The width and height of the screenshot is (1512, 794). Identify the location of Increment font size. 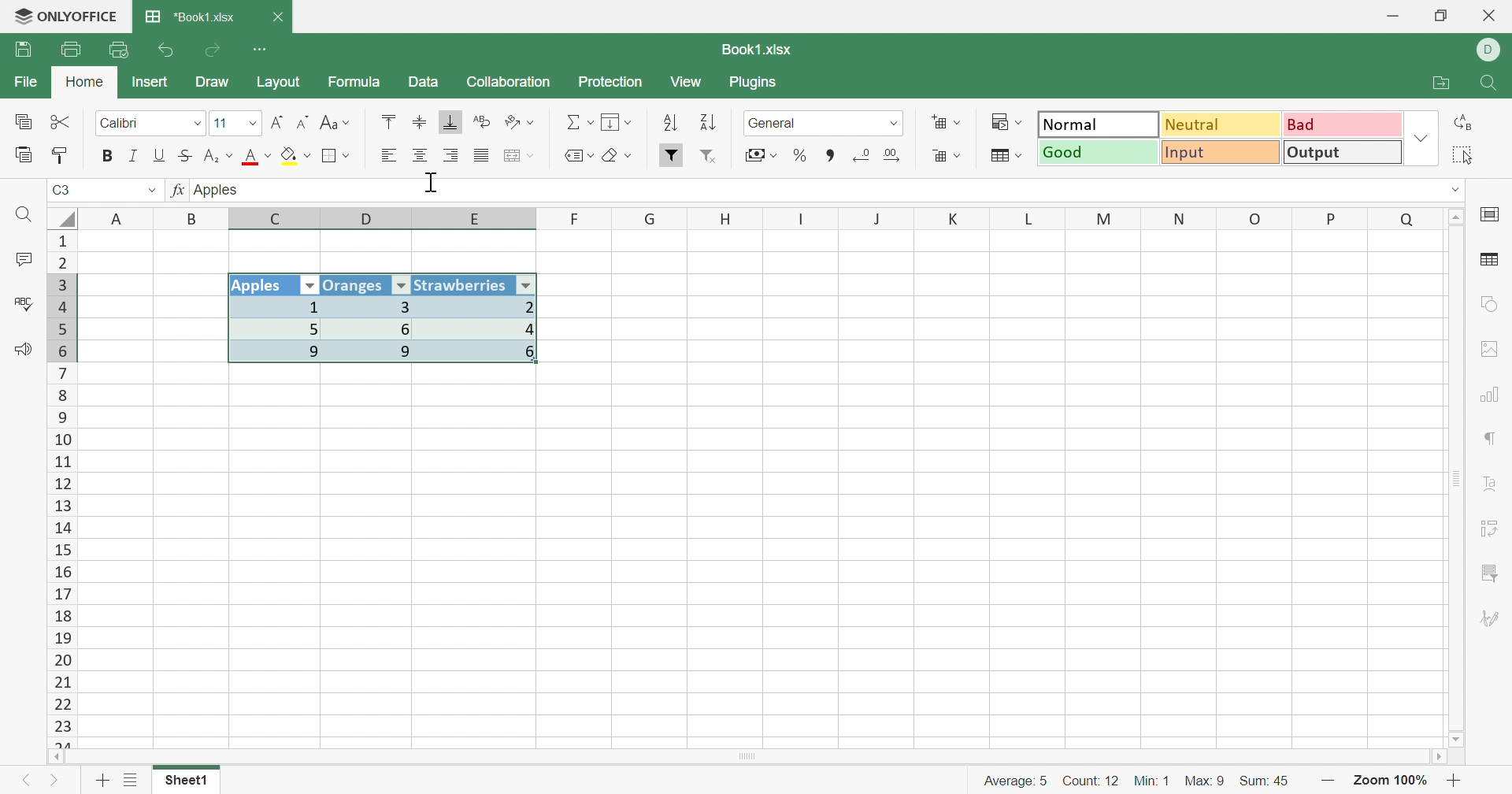
(276, 122).